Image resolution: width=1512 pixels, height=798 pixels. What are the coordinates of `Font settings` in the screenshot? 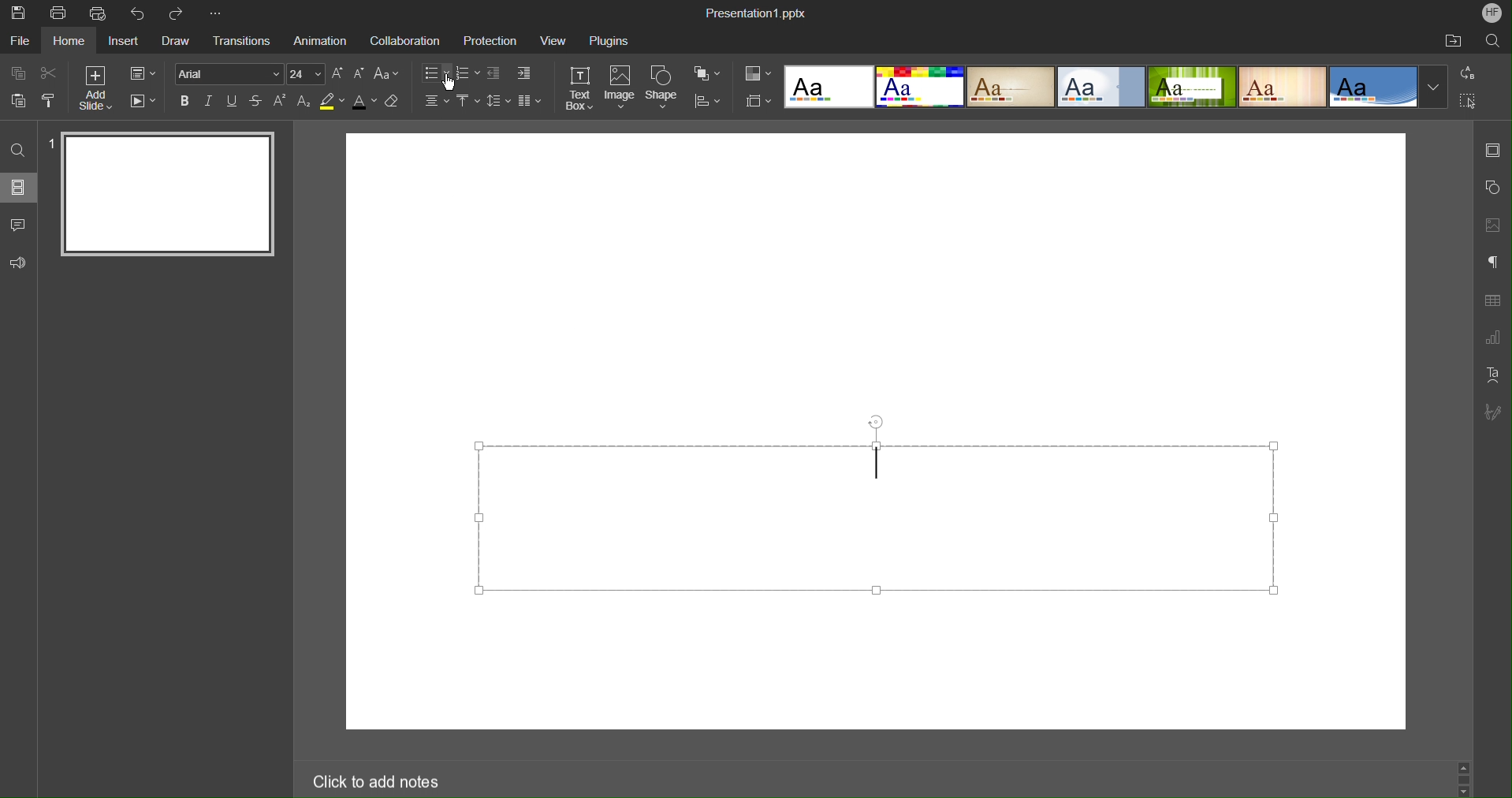 It's located at (251, 73).